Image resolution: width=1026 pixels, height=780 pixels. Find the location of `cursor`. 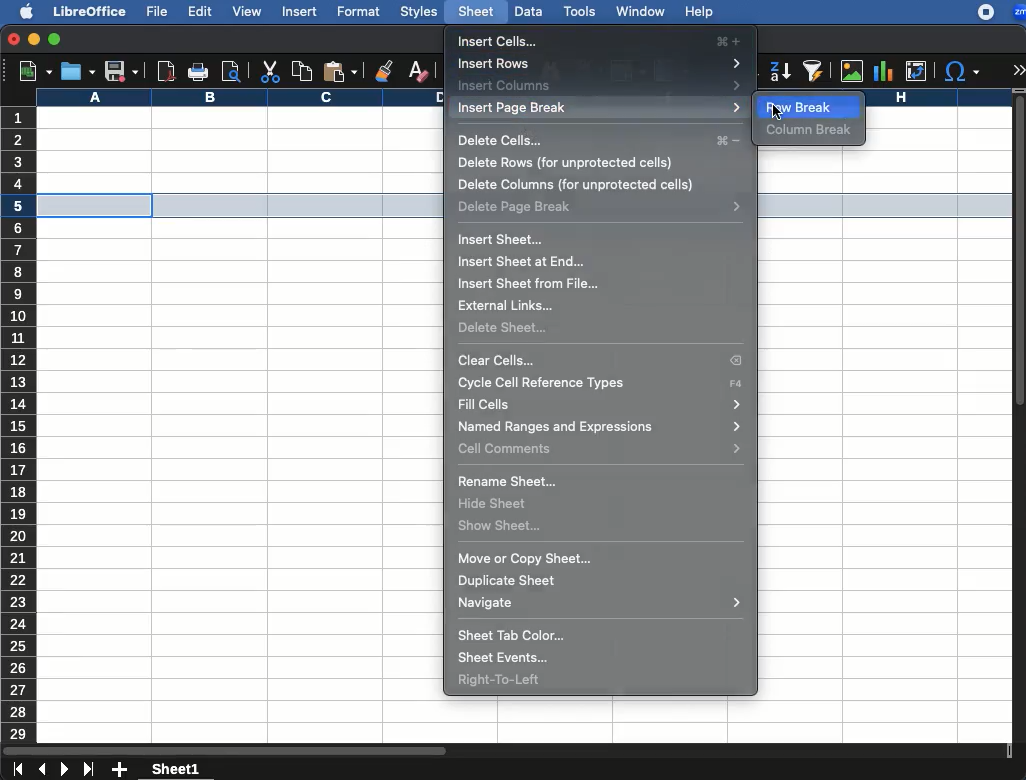

cursor is located at coordinates (777, 115).